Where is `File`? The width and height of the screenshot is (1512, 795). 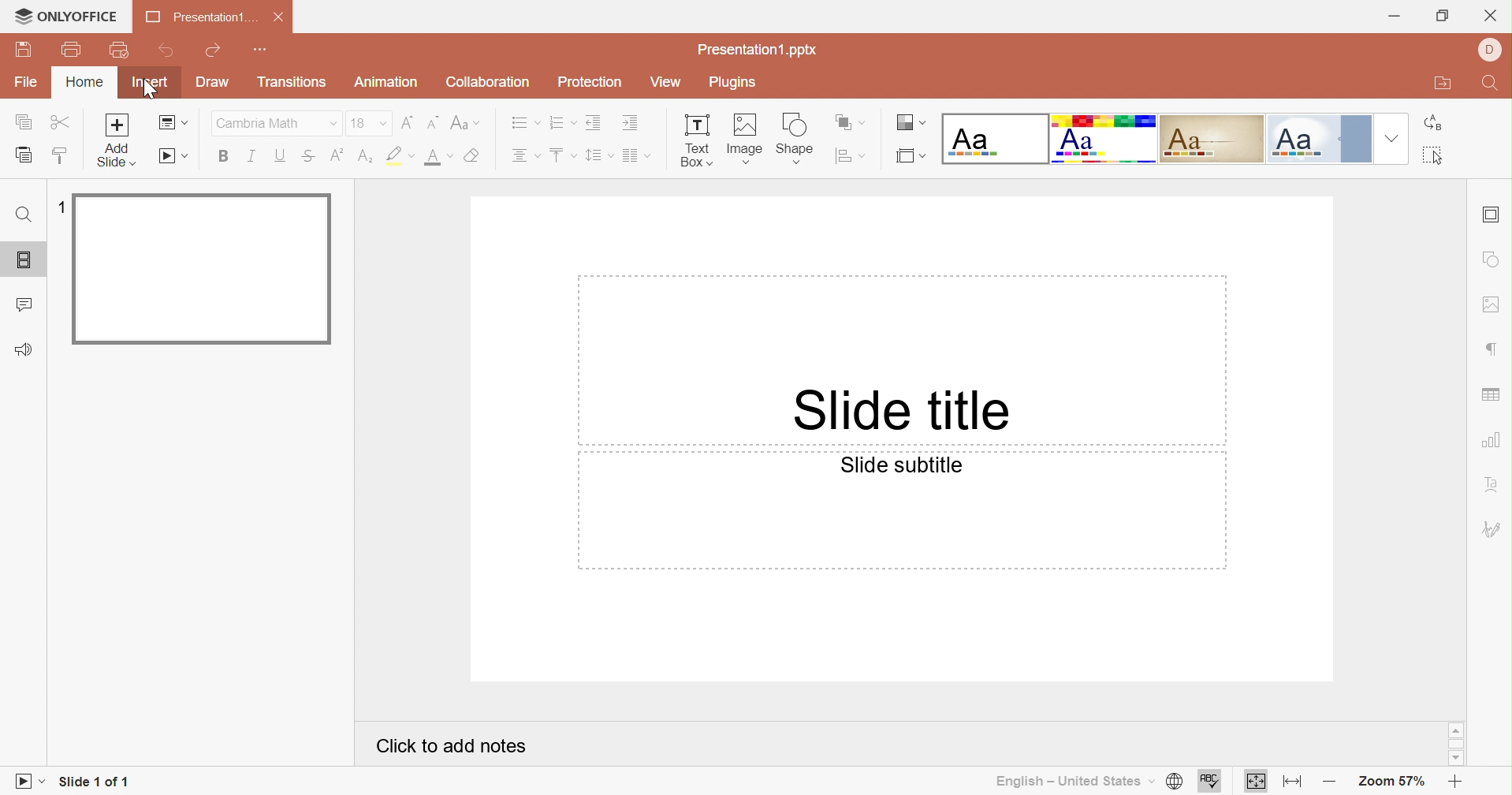
File is located at coordinates (28, 84).